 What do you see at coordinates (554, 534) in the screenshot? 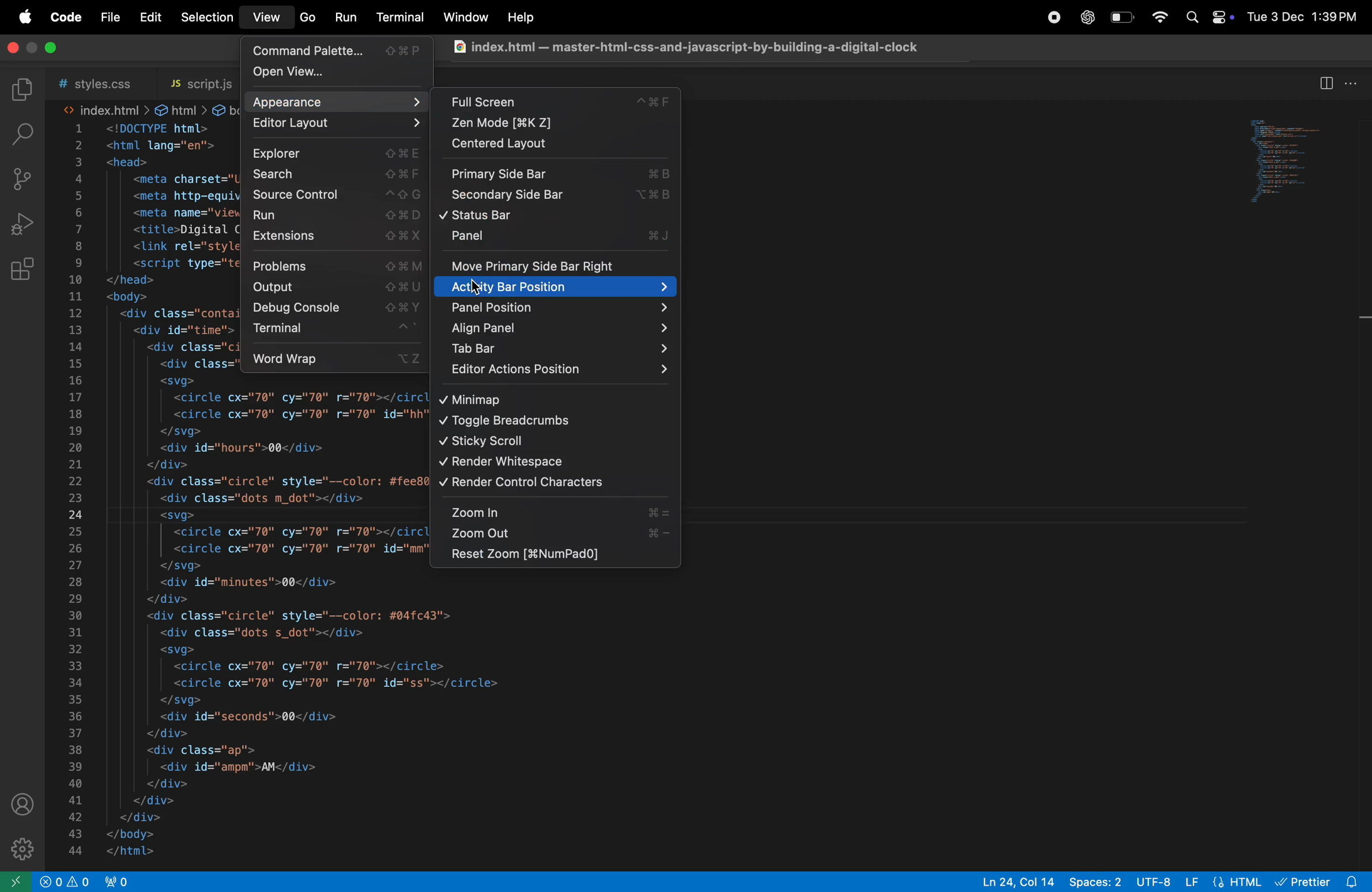
I see `zoom out` at bounding box center [554, 534].